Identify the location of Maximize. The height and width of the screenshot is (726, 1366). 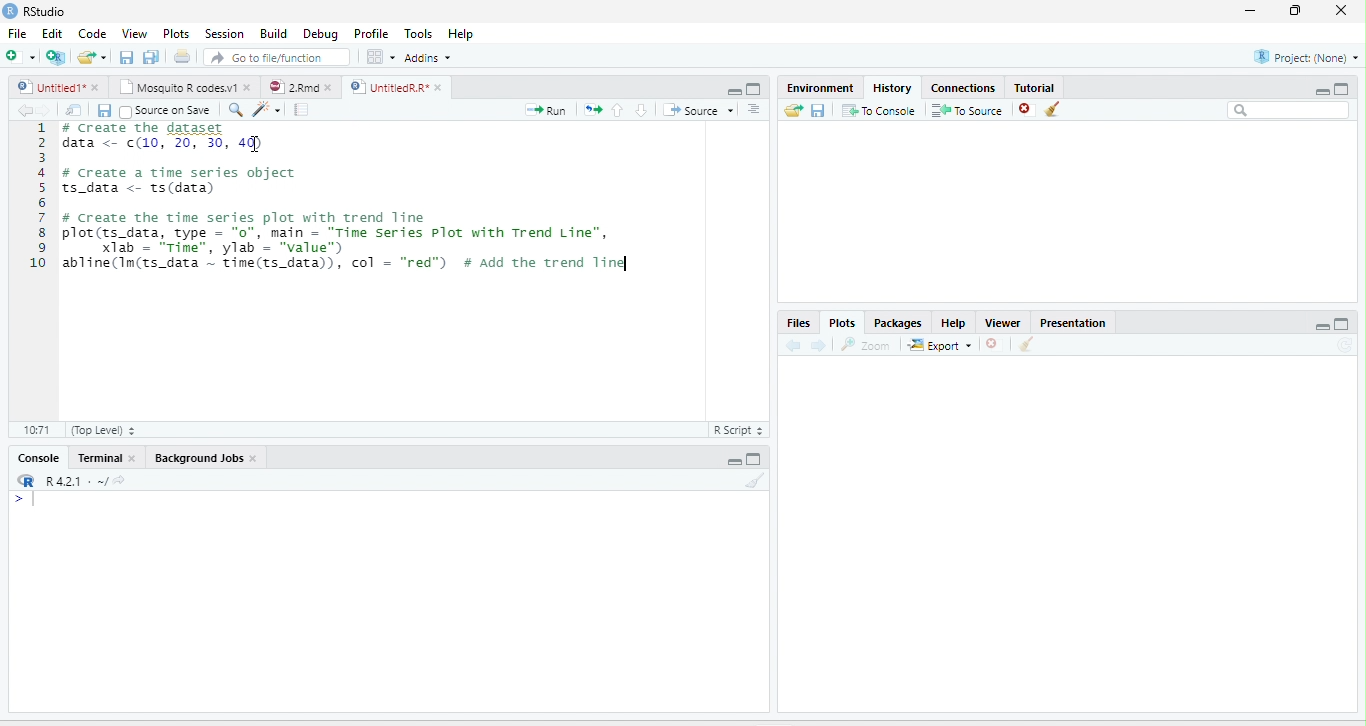
(755, 459).